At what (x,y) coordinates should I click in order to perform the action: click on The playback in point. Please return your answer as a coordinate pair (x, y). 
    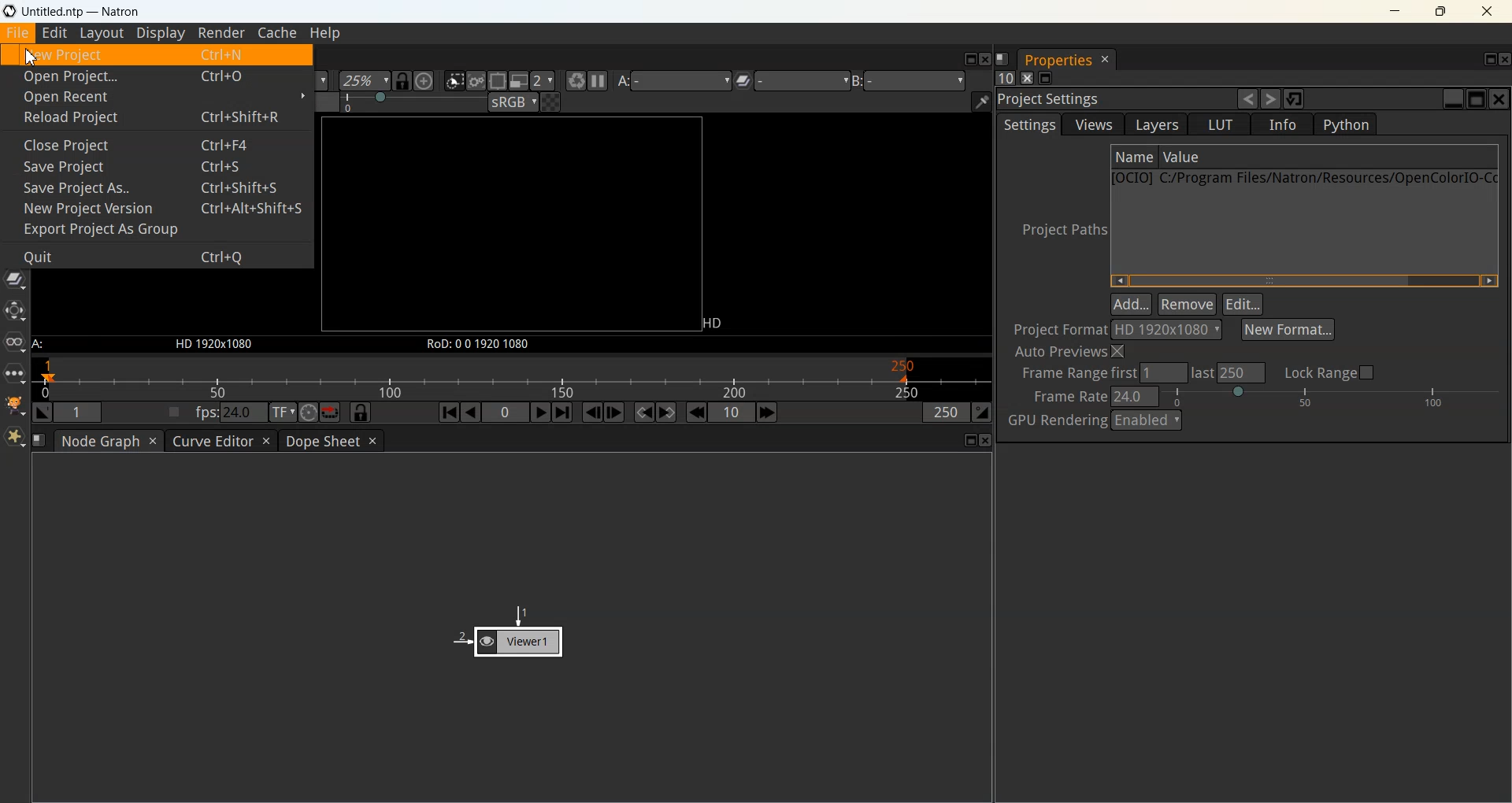
    Looking at the image, I should click on (80, 411).